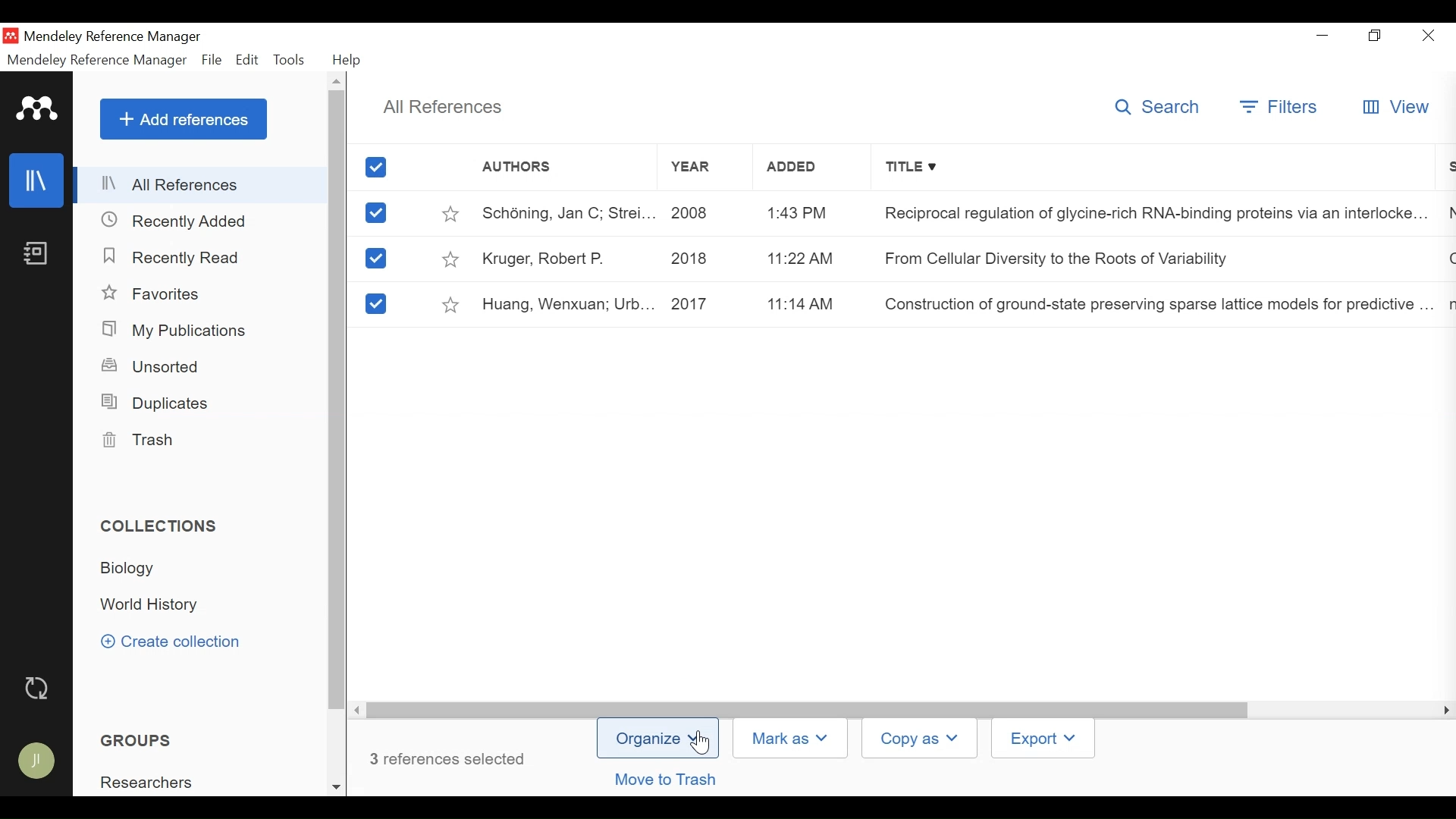 The width and height of the screenshot is (1456, 819). Describe the element at coordinates (800, 260) in the screenshot. I see `11:22 AM` at that location.